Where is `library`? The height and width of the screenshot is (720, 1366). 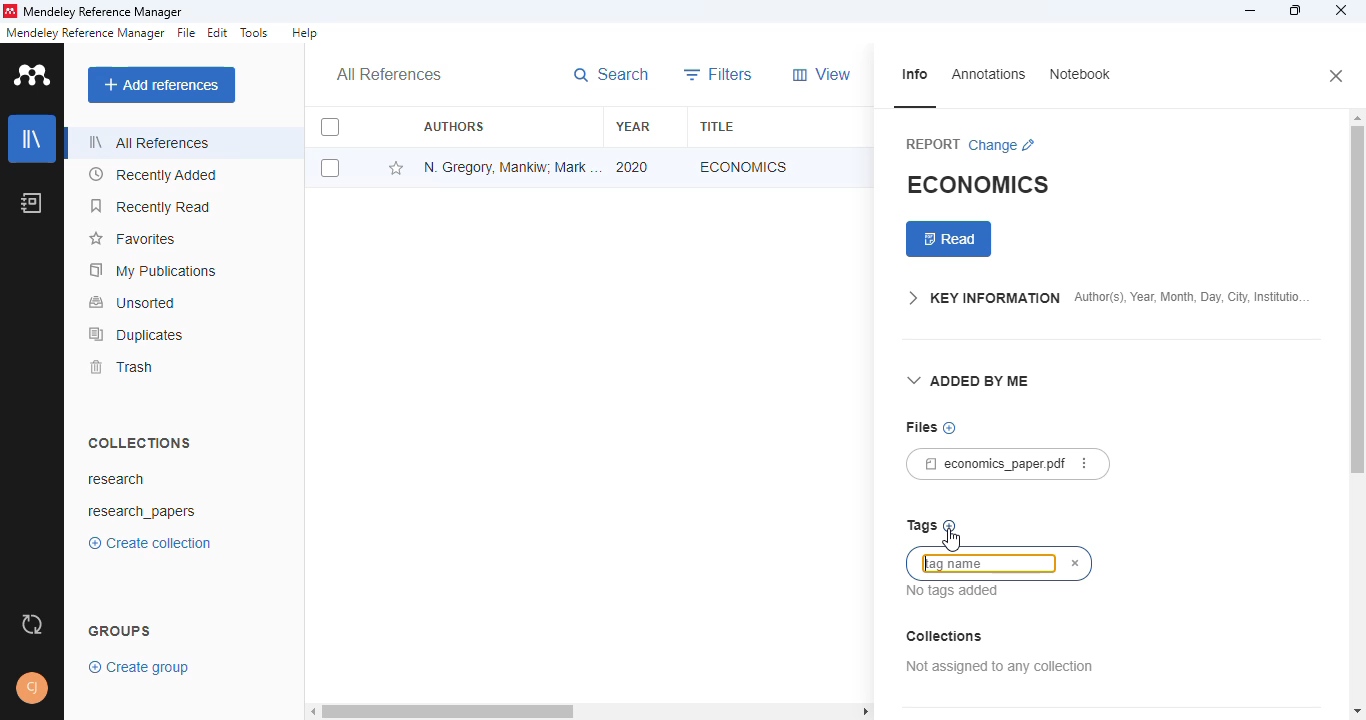
library is located at coordinates (32, 139).